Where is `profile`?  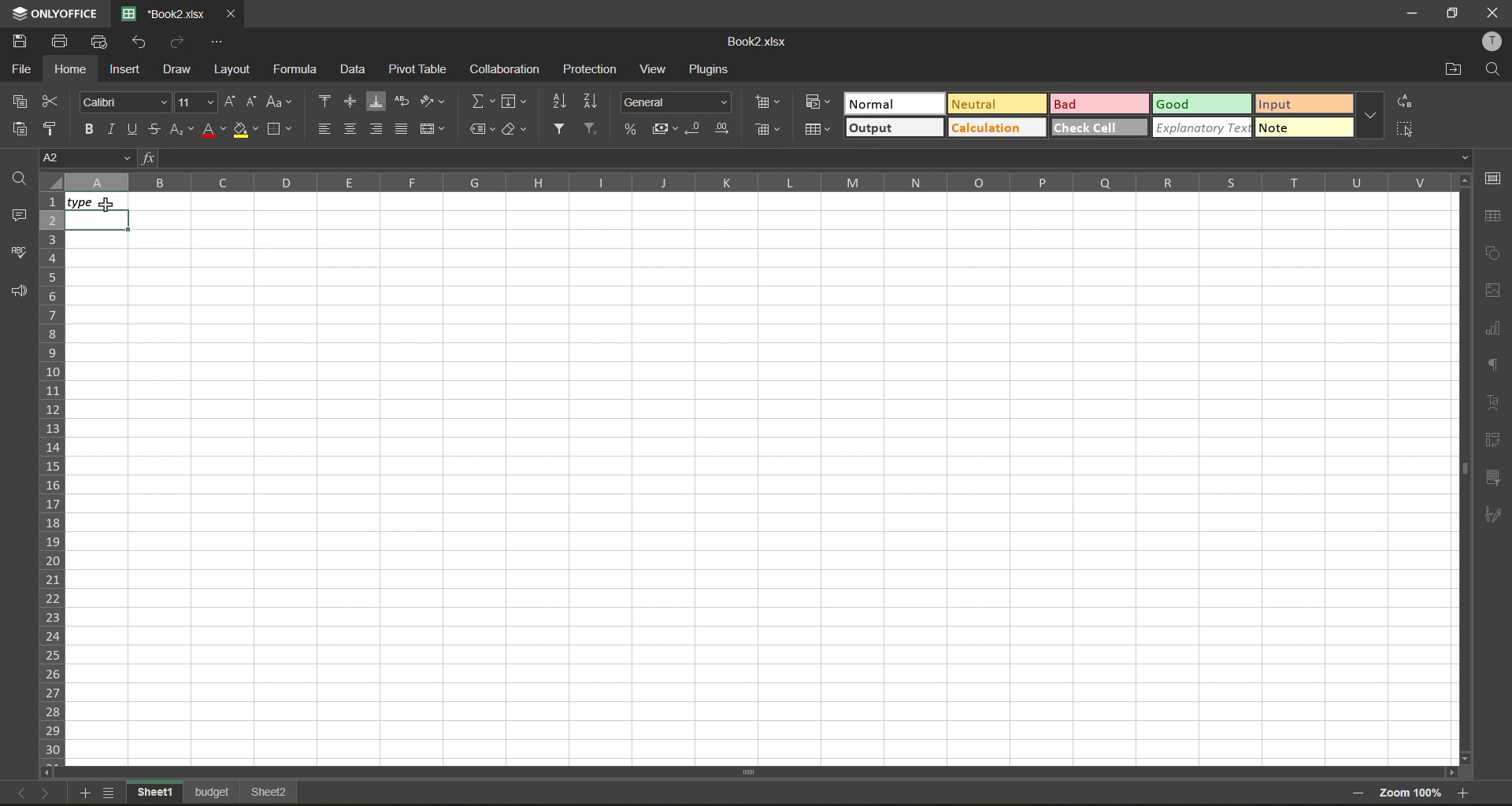
profile is located at coordinates (1493, 44).